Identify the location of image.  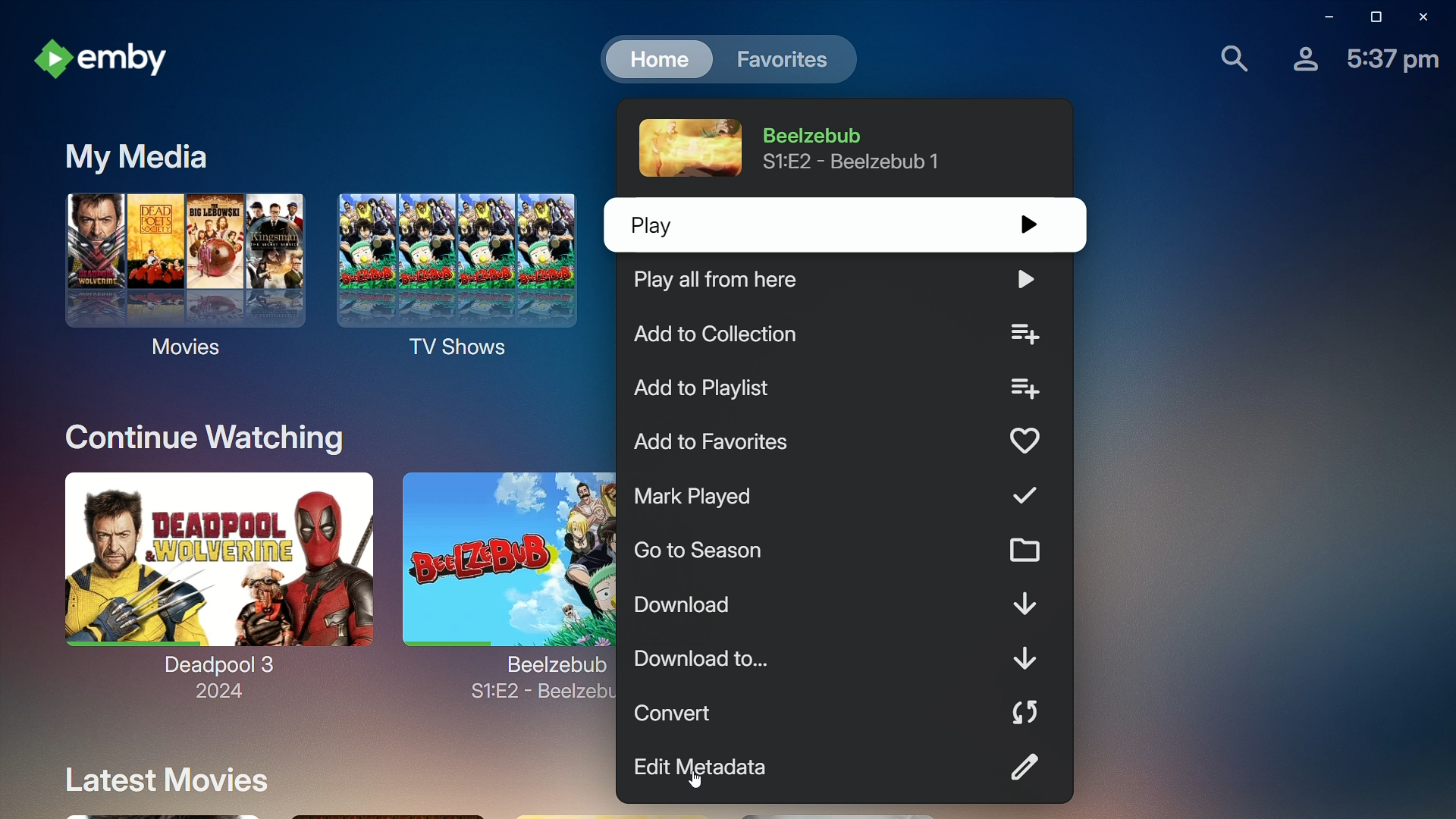
(686, 147).